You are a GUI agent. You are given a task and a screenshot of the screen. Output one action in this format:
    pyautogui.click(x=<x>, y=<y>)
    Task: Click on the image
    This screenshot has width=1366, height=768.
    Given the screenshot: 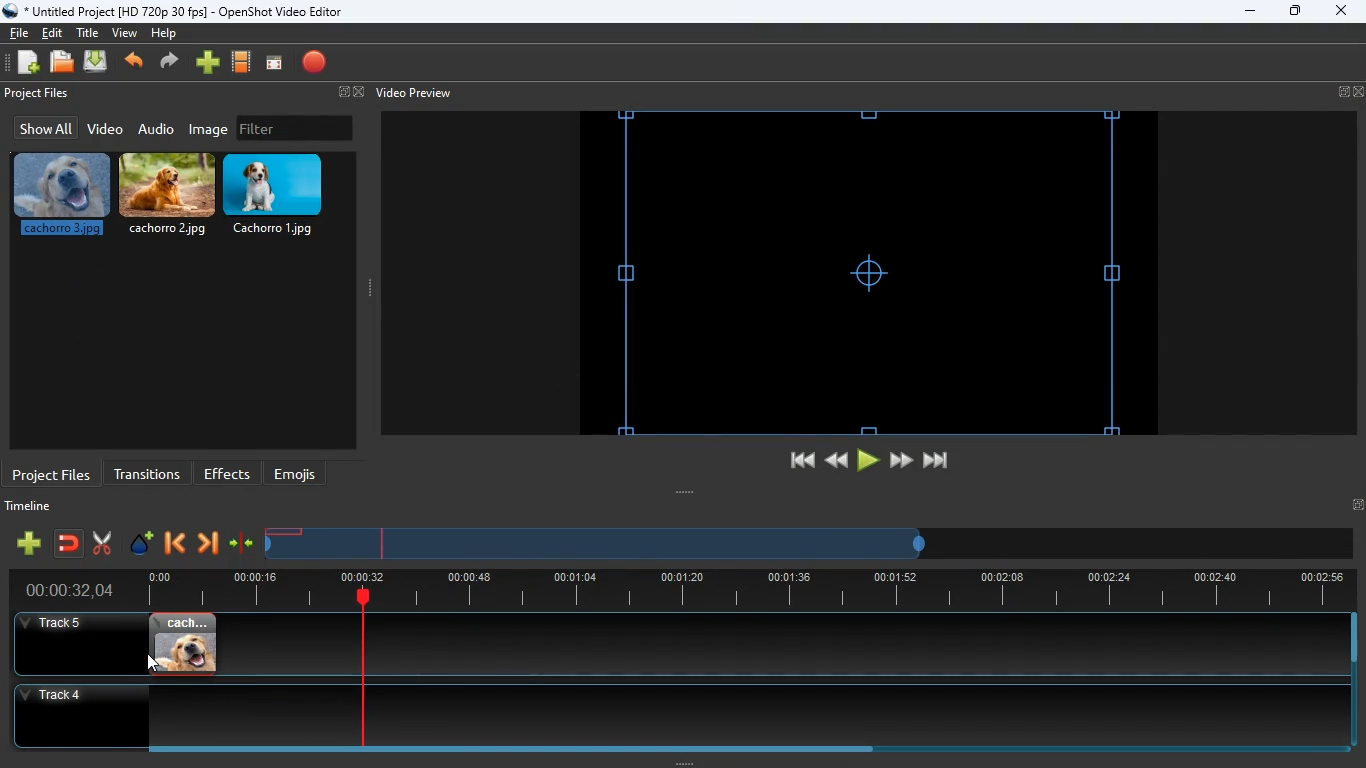 What is the action you would take?
    pyautogui.click(x=183, y=644)
    